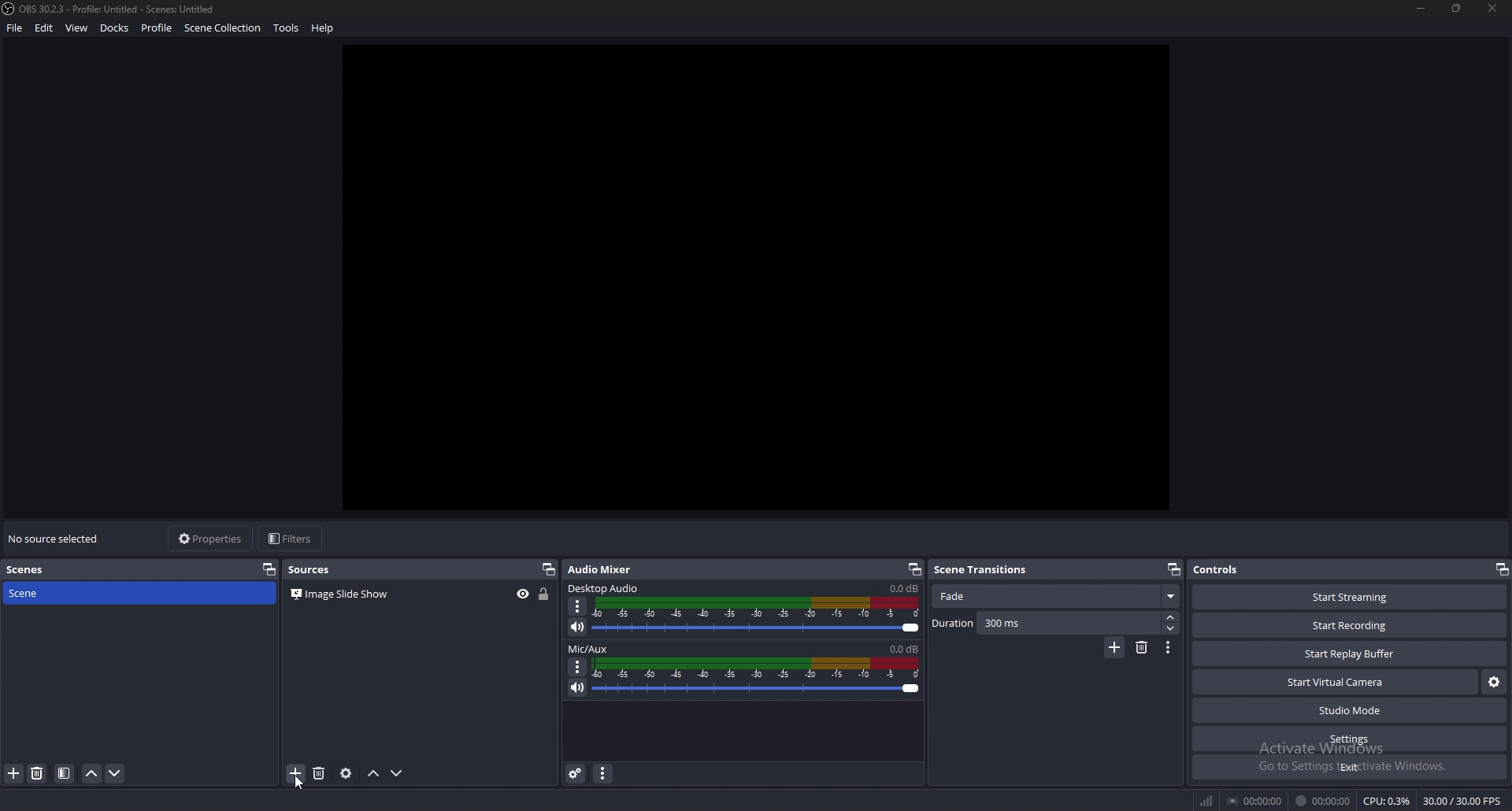 This screenshot has height=811, width=1512. Describe the element at coordinates (1323, 801) in the screenshot. I see `recording duration` at that location.